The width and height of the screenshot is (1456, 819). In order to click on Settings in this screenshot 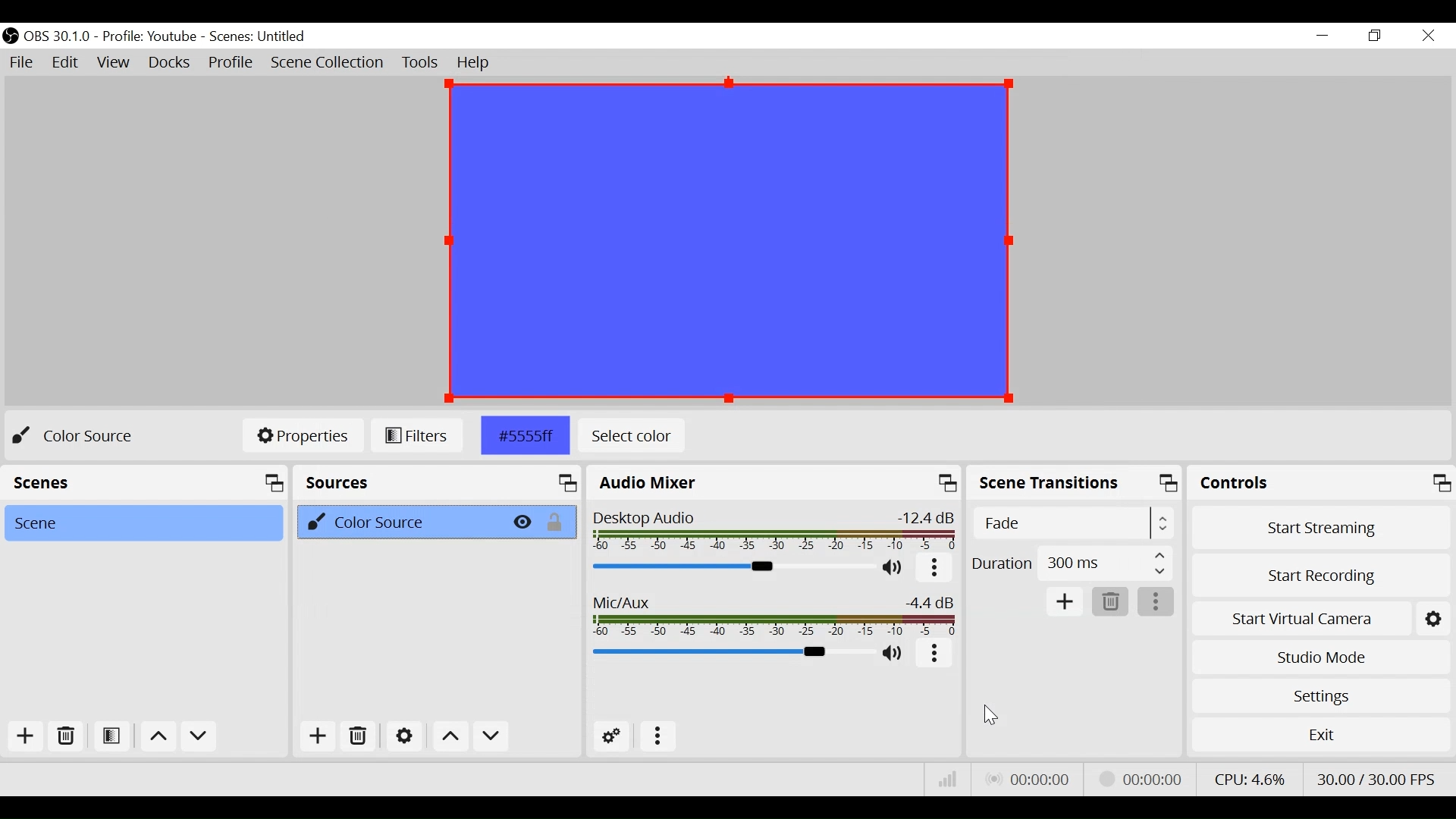, I will do `click(403, 736)`.